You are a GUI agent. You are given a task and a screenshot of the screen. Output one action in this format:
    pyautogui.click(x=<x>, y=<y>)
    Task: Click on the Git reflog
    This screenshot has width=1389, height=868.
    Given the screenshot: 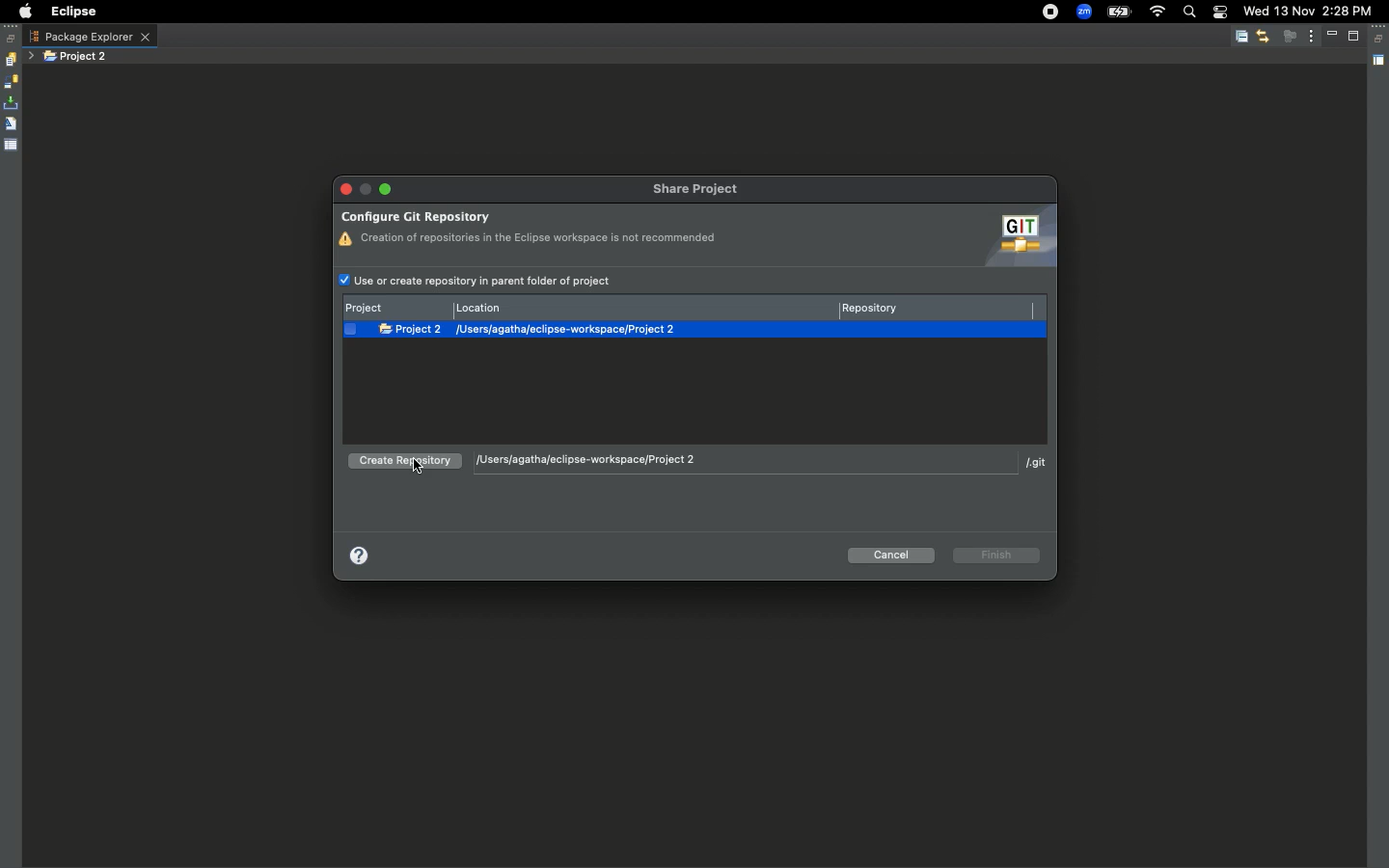 What is the action you would take?
    pyautogui.click(x=11, y=125)
    